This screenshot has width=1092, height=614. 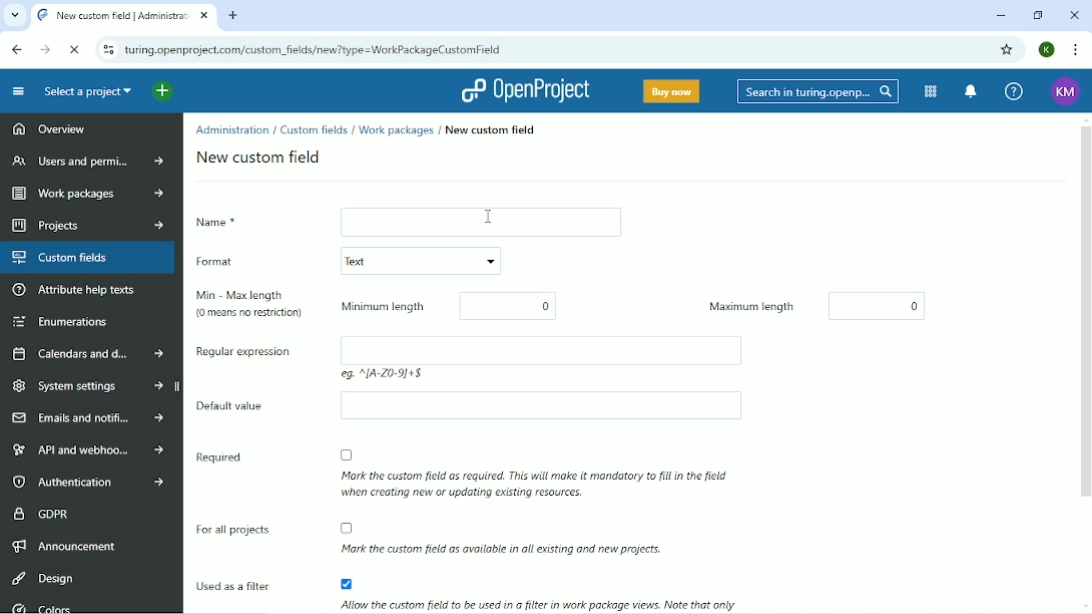 I want to click on Attribute help texts, so click(x=77, y=291).